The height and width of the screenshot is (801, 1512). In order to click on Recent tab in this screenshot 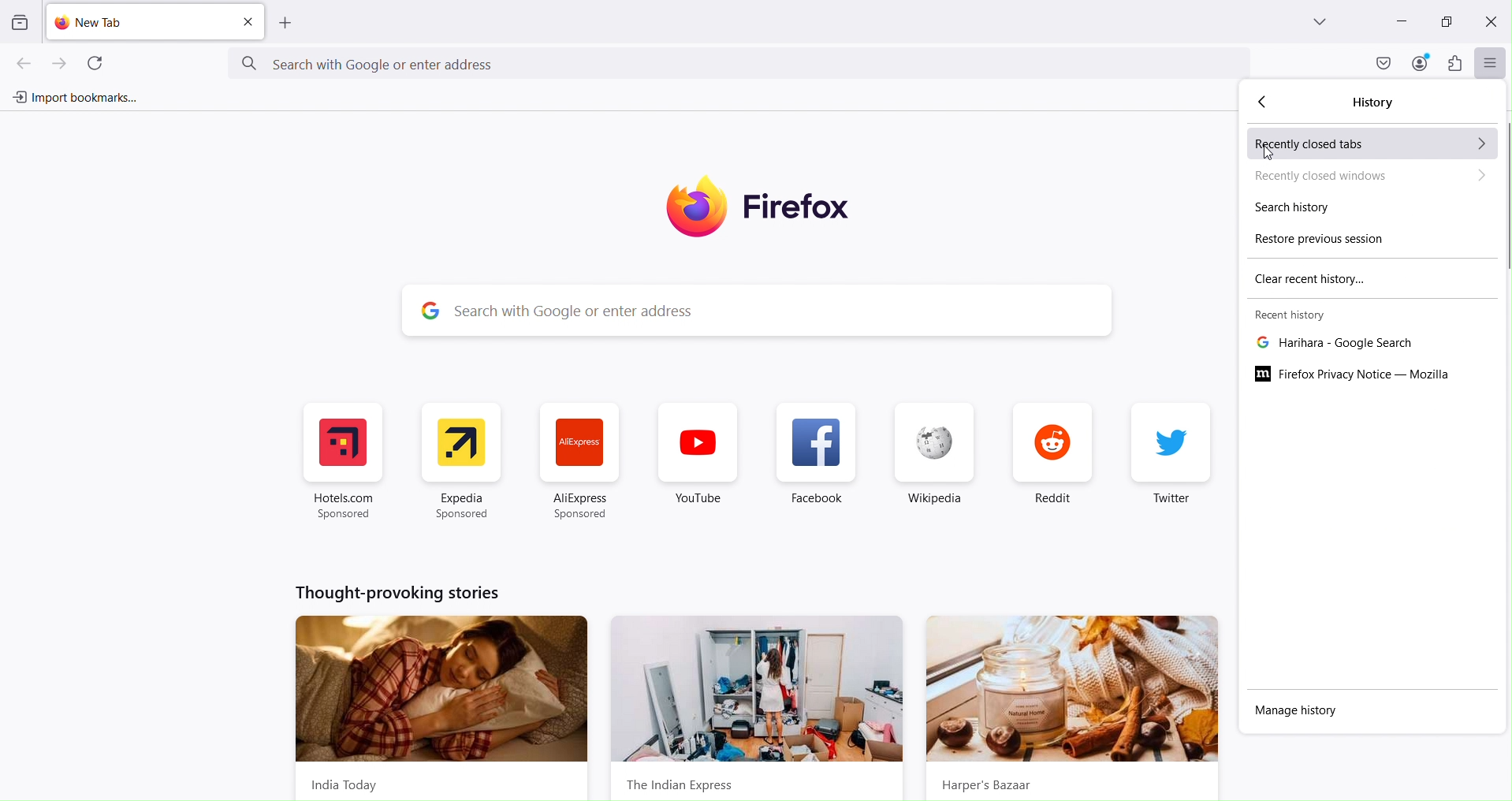, I will do `click(1333, 342)`.